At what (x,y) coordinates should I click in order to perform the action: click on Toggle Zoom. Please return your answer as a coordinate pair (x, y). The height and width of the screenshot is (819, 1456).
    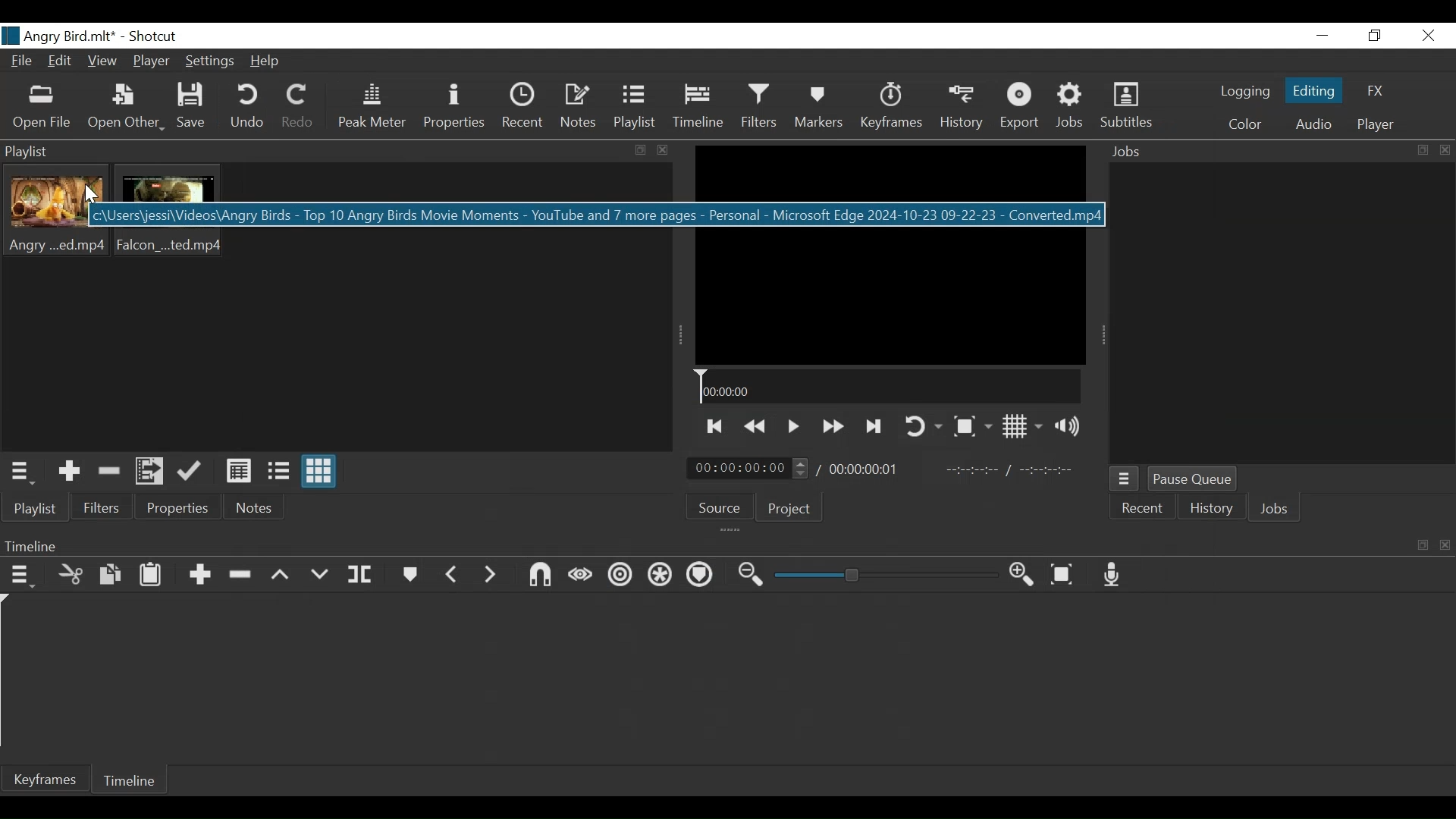
    Looking at the image, I should click on (972, 427).